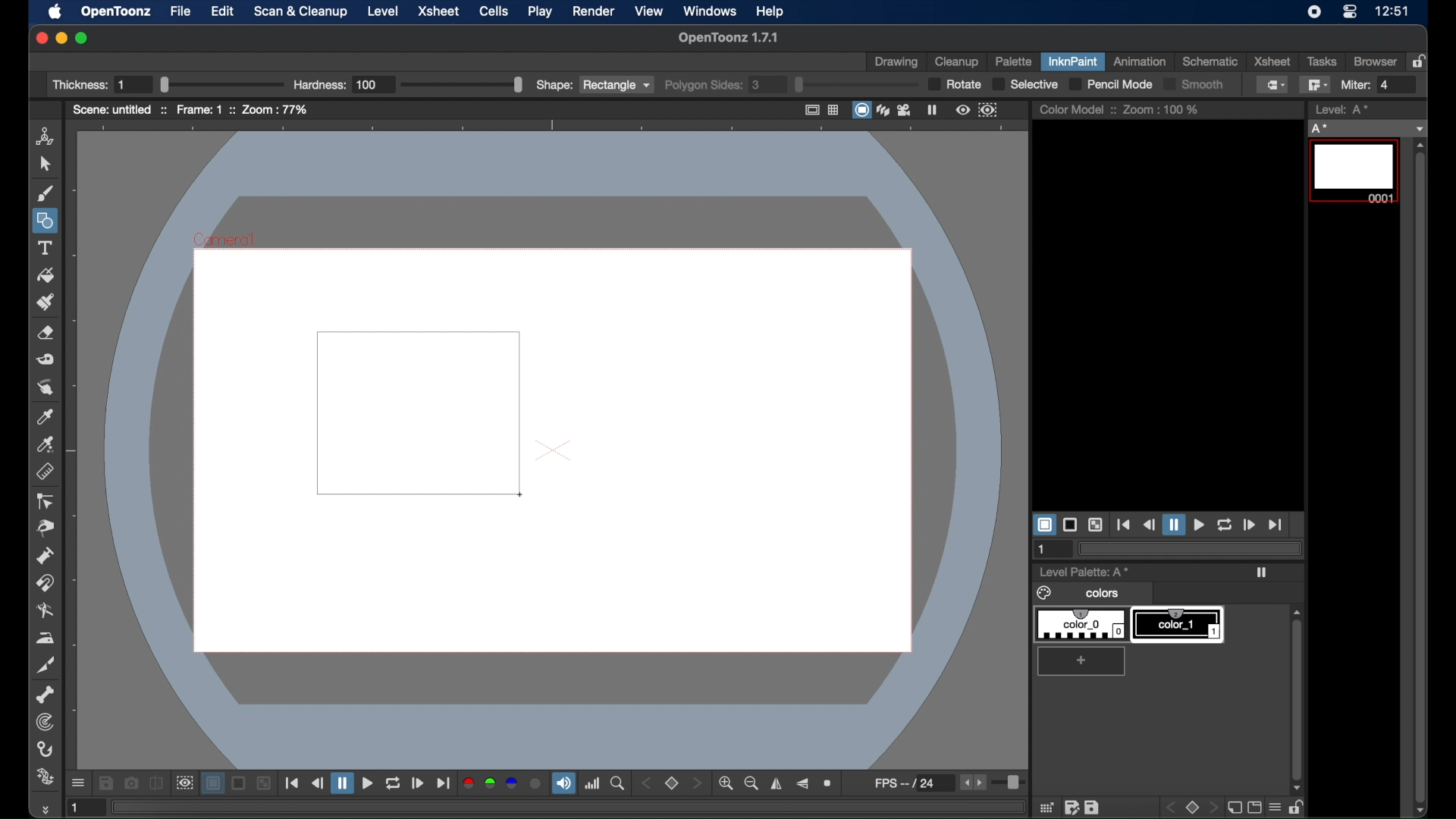 The image size is (1456, 819). Describe the element at coordinates (78, 784) in the screenshot. I see `more options` at that location.